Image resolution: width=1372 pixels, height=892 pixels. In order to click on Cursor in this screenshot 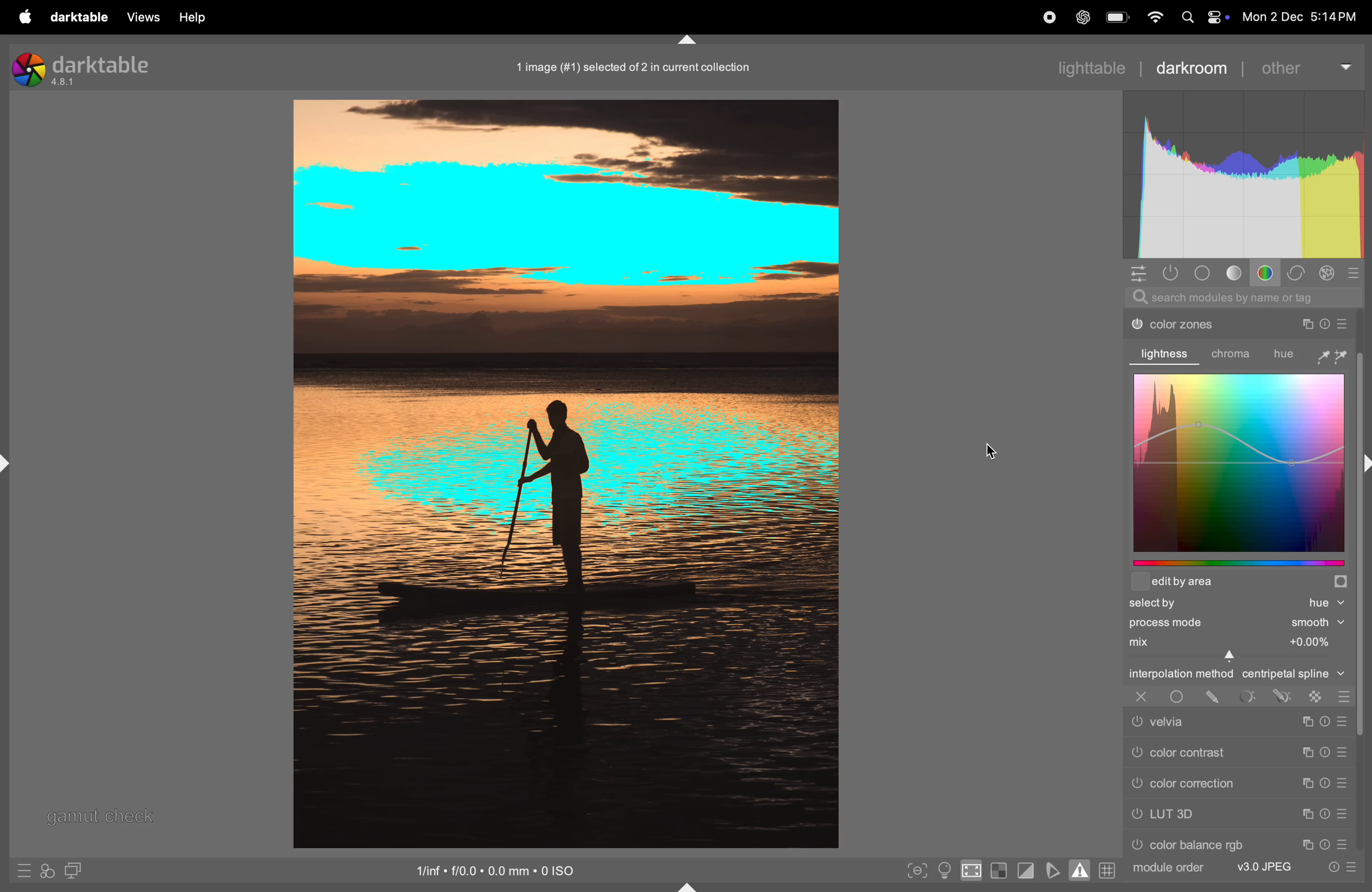, I will do `click(1232, 657)`.